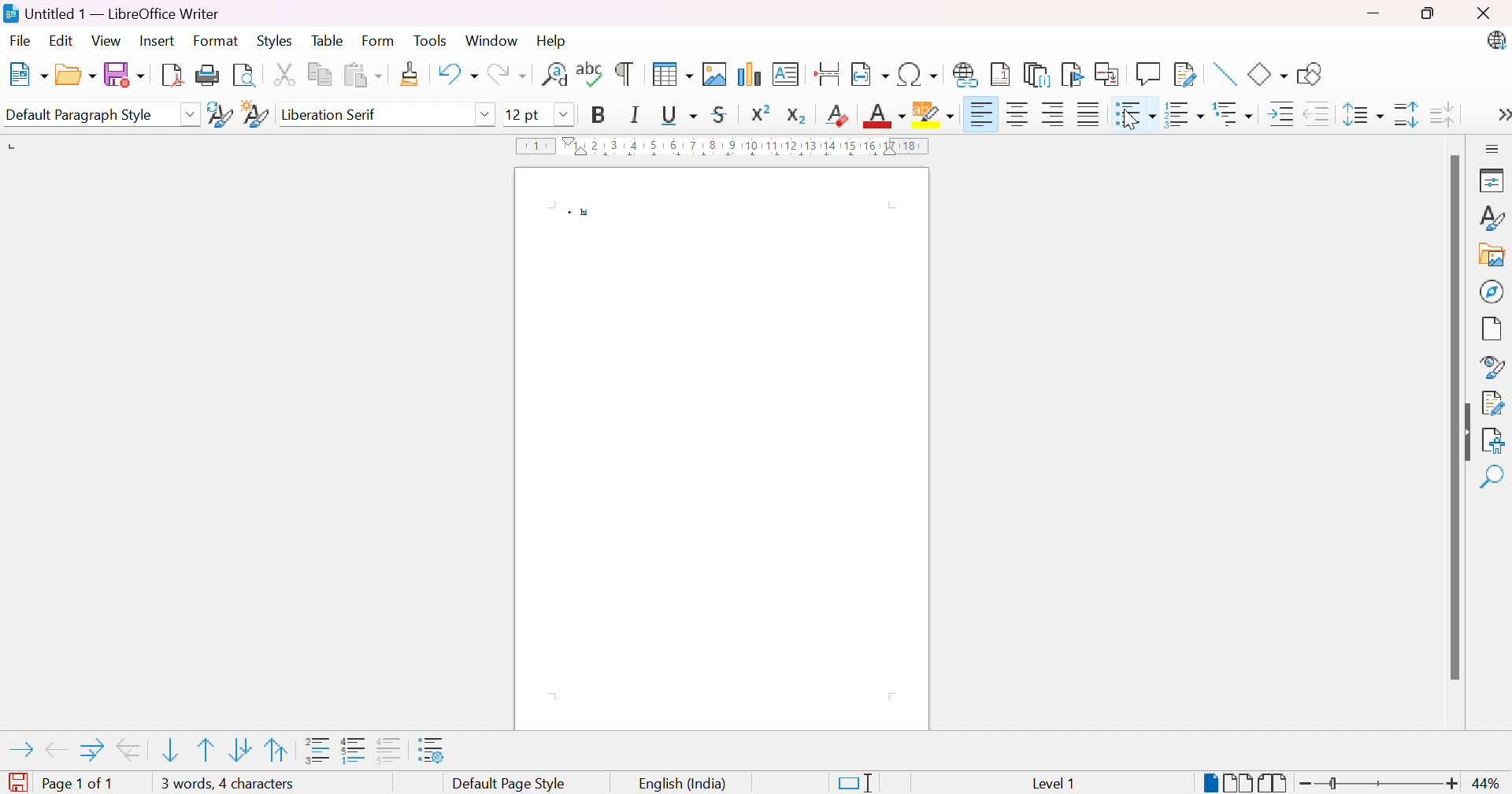 The height and width of the screenshot is (794, 1512). I want to click on Default page style, so click(511, 783).